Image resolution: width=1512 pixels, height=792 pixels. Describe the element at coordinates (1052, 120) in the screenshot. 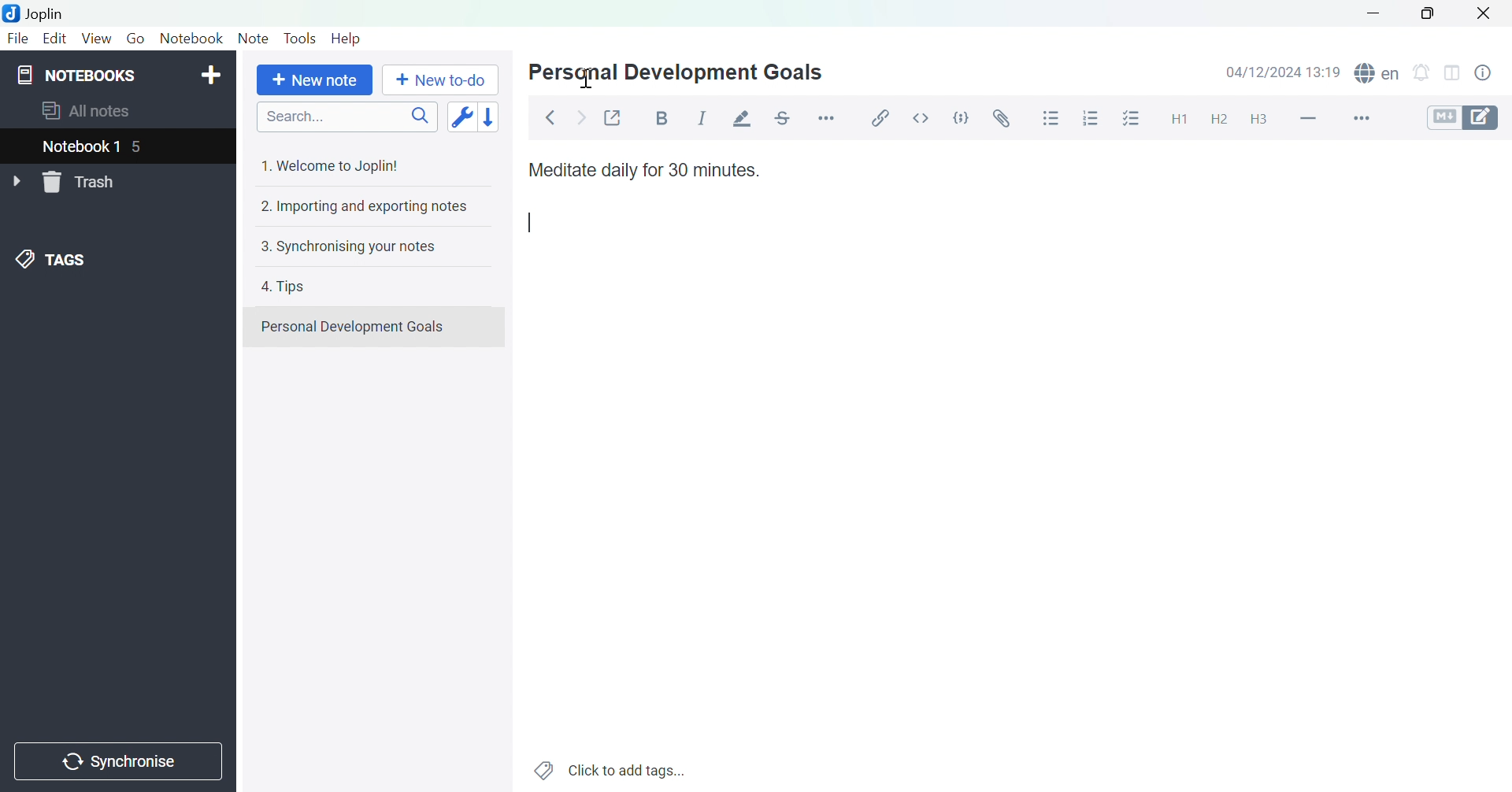

I see `Bulleted list` at that location.